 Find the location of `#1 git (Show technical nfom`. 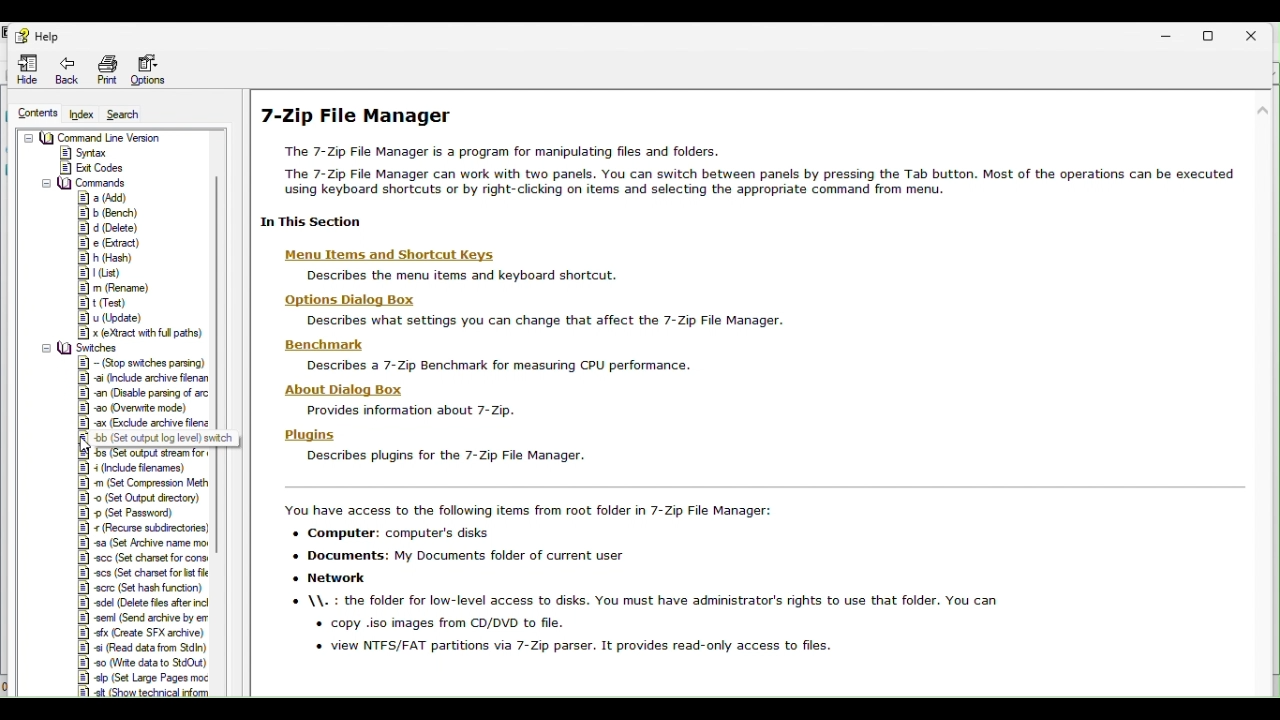

#1 git (Show technical nfom is located at coordinates (150, 692).